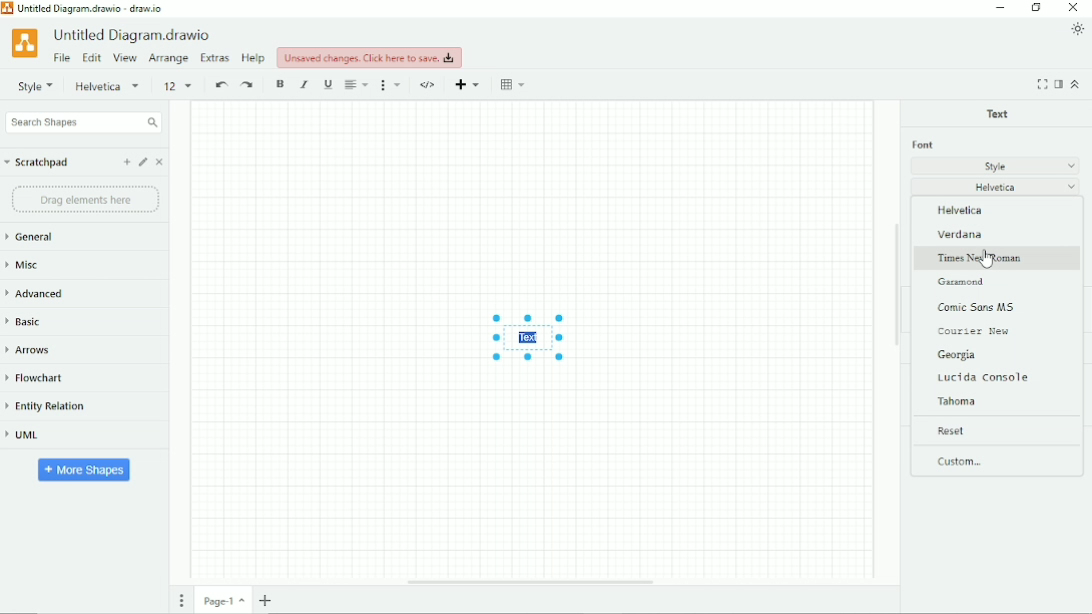 This screenshot has height=614, width=1092. I want to click on Verdana, so click(962, 234).